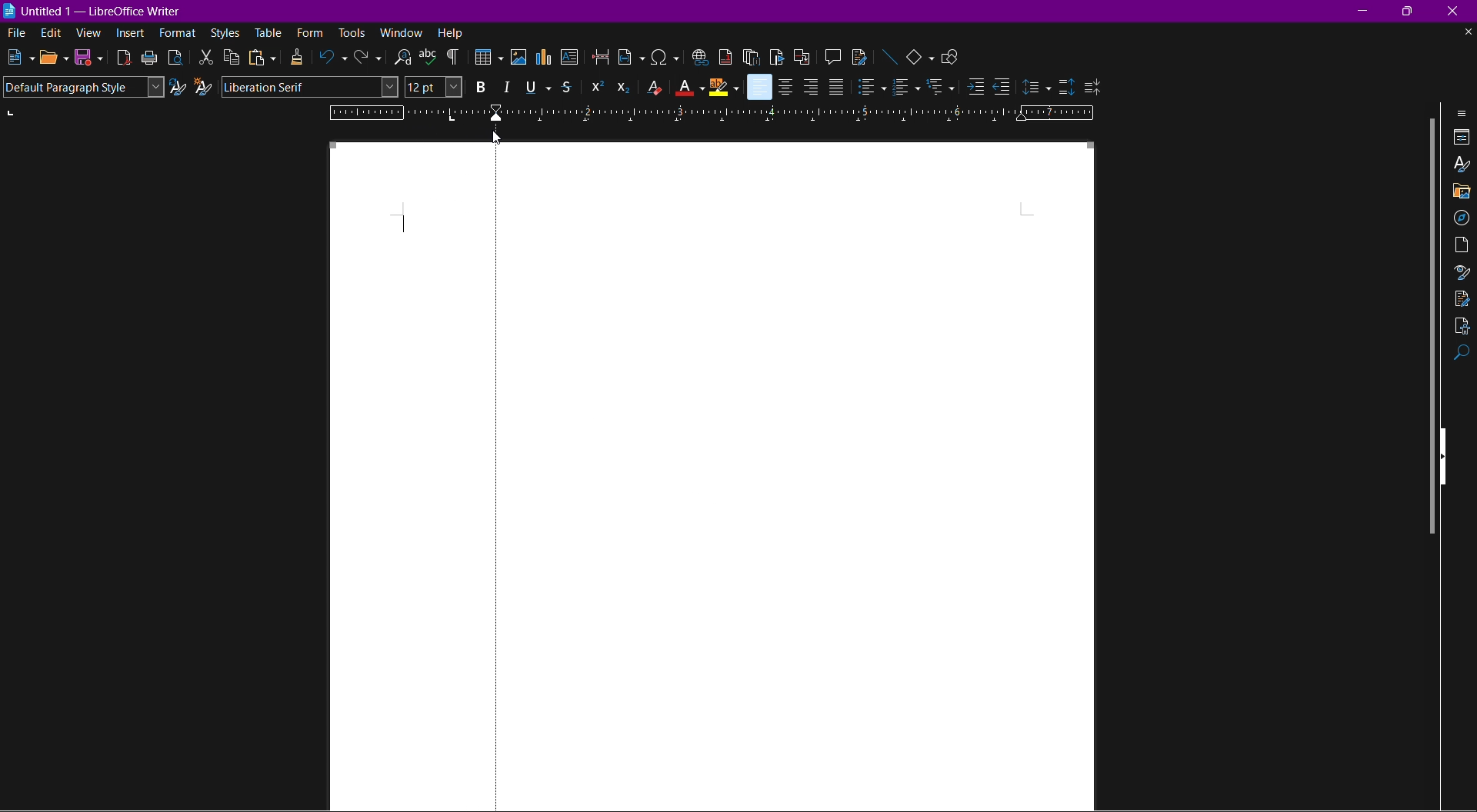 This screenshot has height=812, width=1477. I want to click on Toggle Print View, so click(174, 57).